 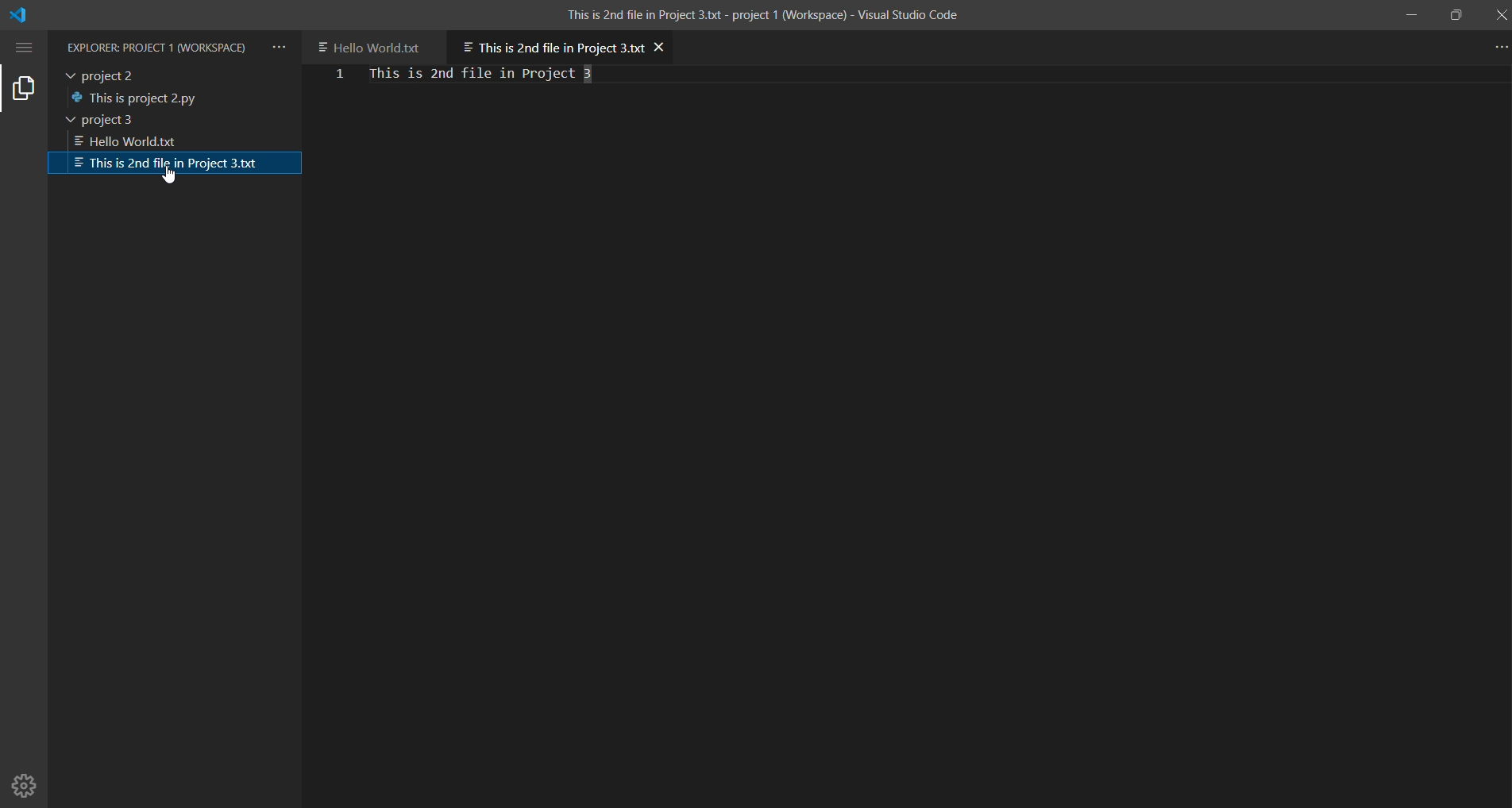 What do you see at coordinates (1500, 14) in the screenshot?
I see `close` at bounding box center [1500, 14].